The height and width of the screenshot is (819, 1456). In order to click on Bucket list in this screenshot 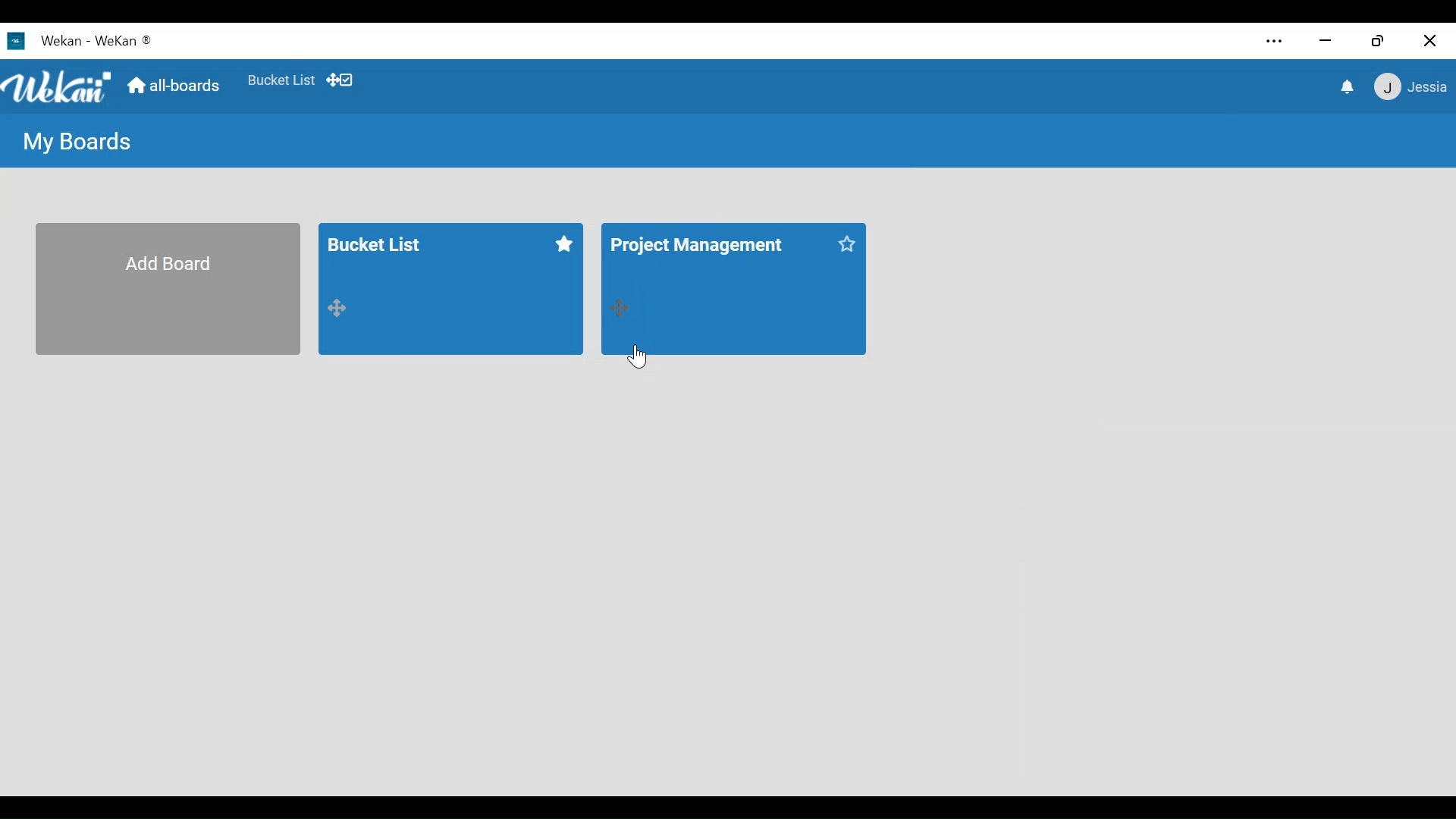, I will do `click(281, 83)`.